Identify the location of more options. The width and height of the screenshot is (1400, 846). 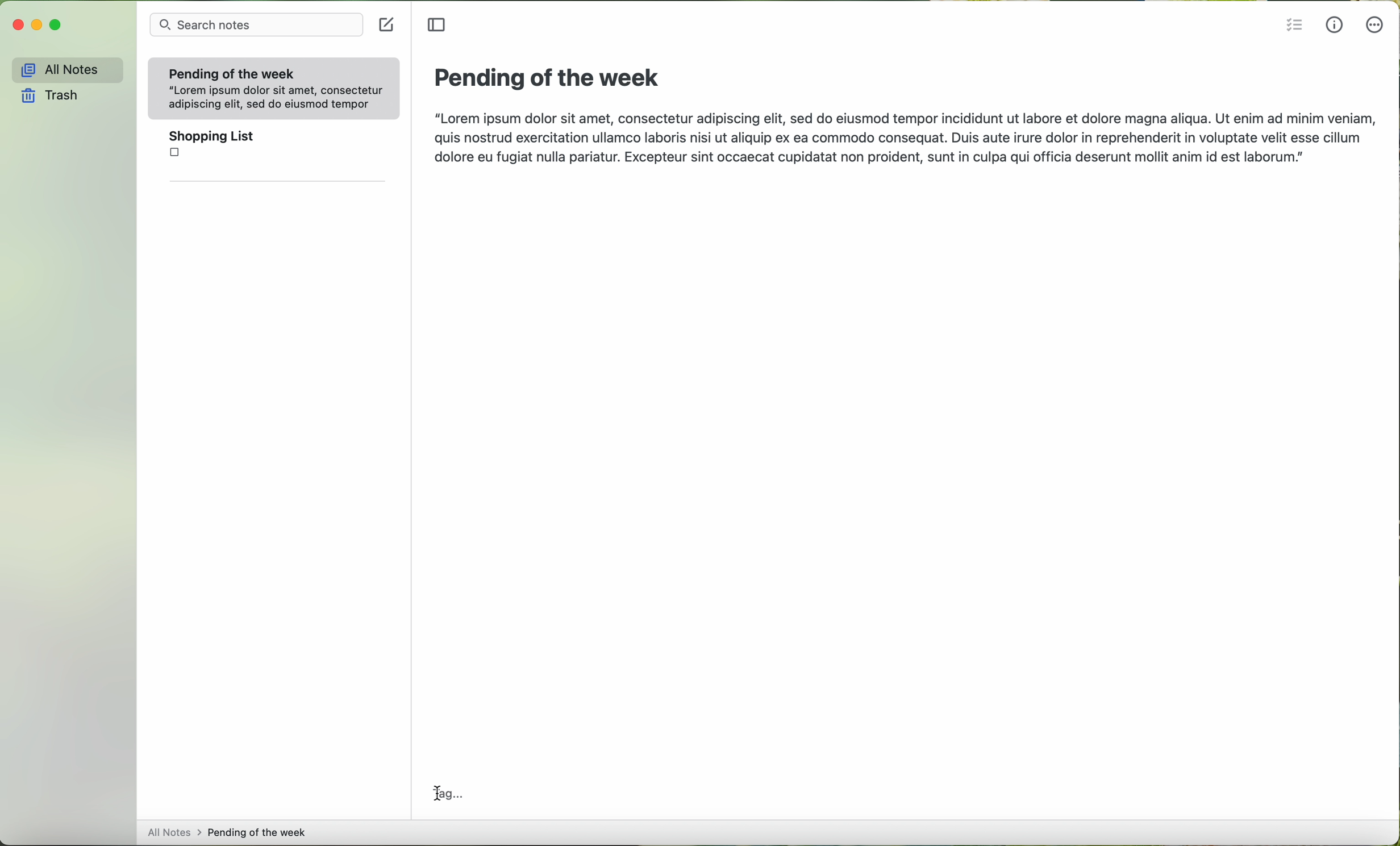
(1374, 28).